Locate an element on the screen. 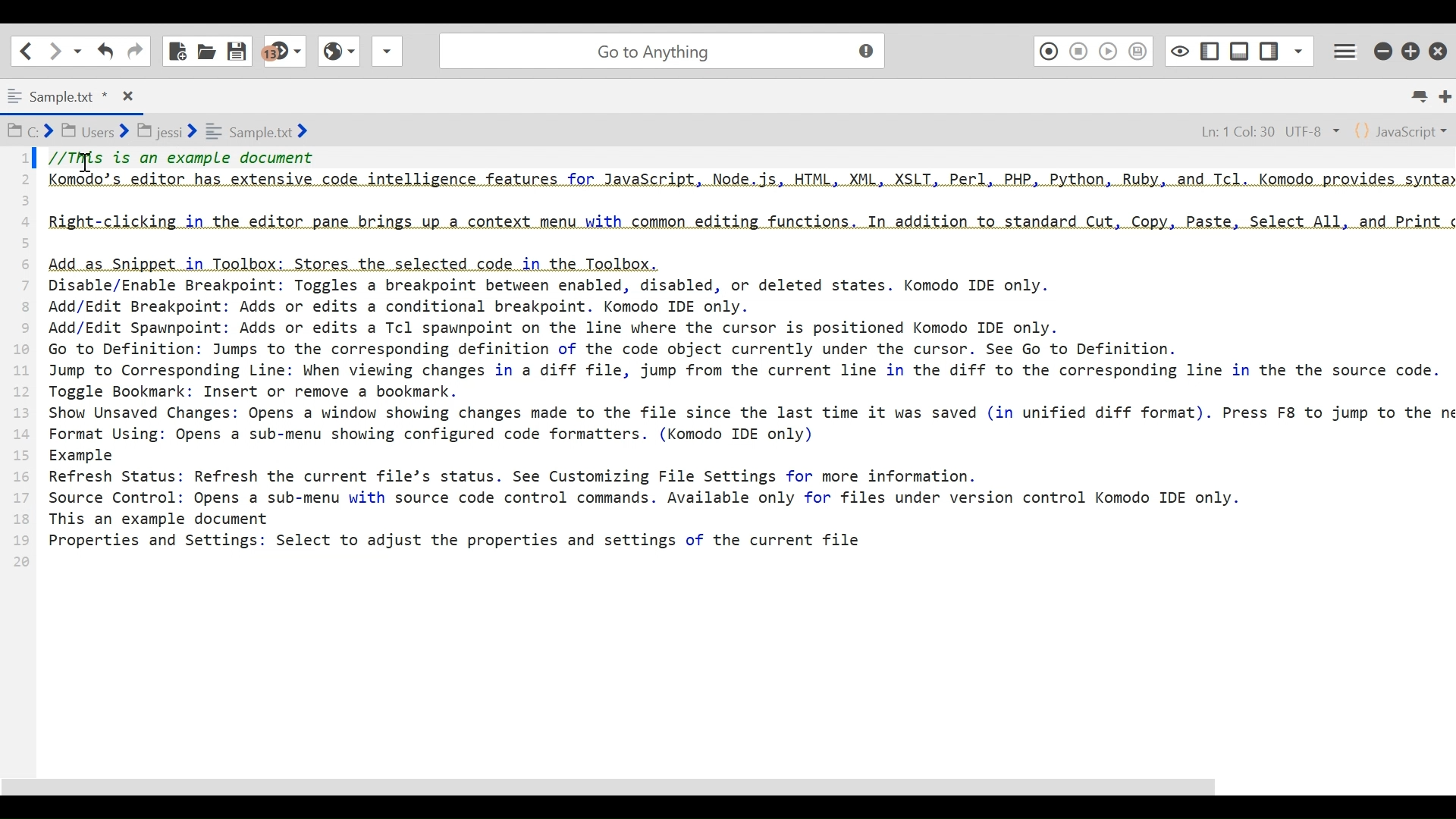 Image resolution: width=1456 pixels, height=819 pixels. Save File is located at coordinates (239, 49).